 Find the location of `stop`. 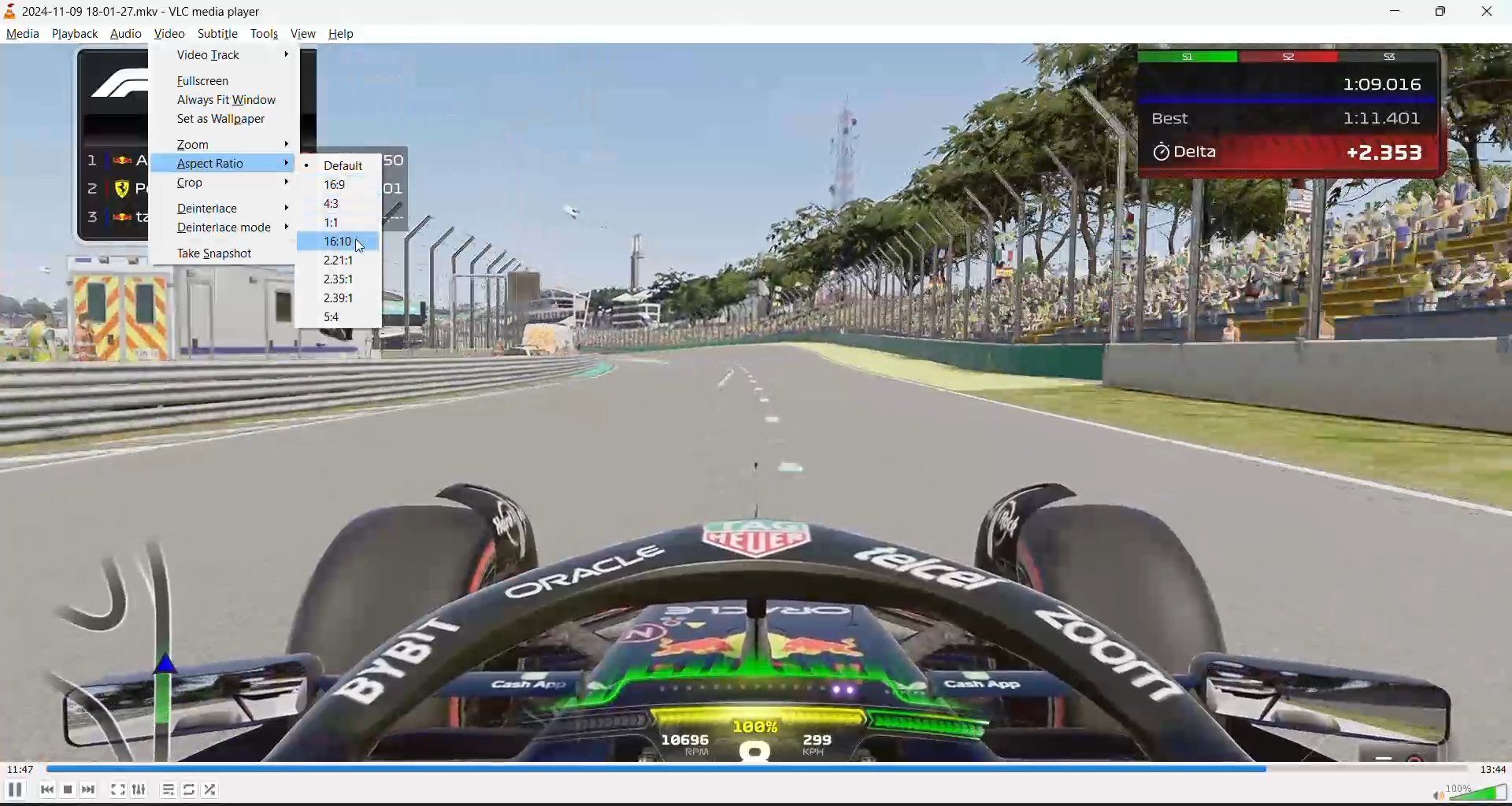

stop is located at coordinates (70, 790).